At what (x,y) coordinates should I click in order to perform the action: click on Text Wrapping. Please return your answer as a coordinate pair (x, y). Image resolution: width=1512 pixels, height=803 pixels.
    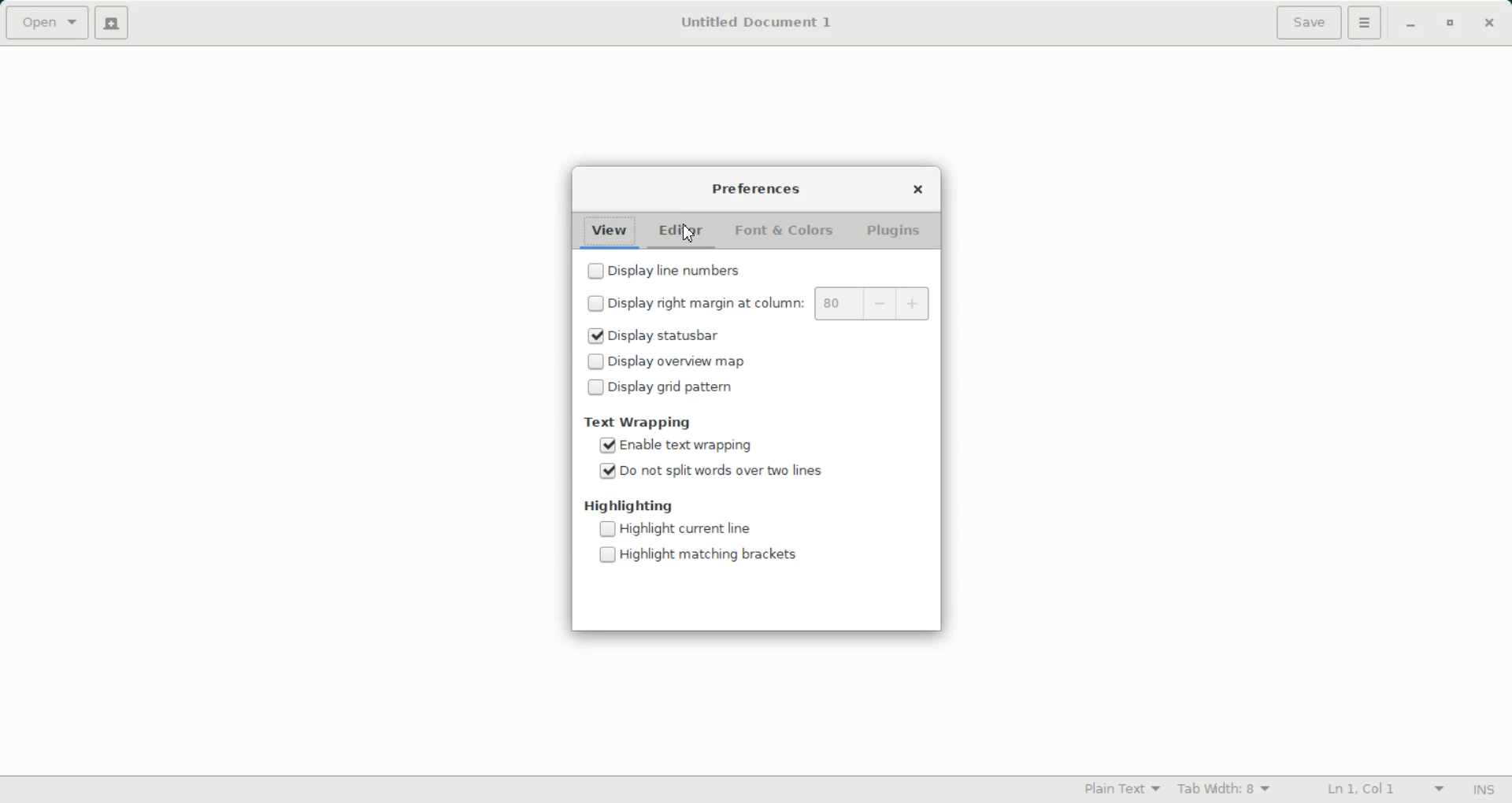
    Looking at the image, I should click on (639, 421).